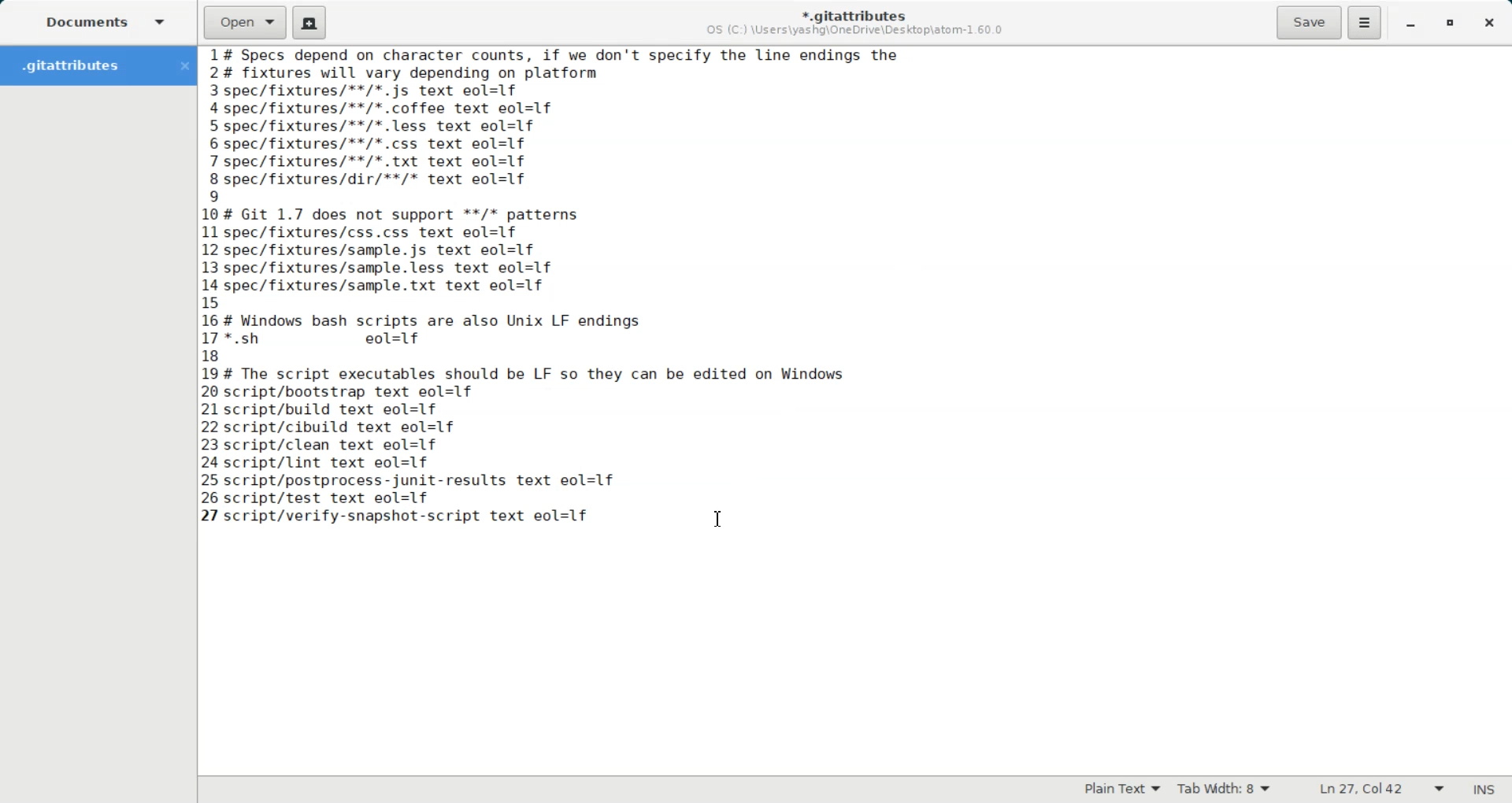 The image size is (1512, 803). I want to click on INS, so click(1484, 789).